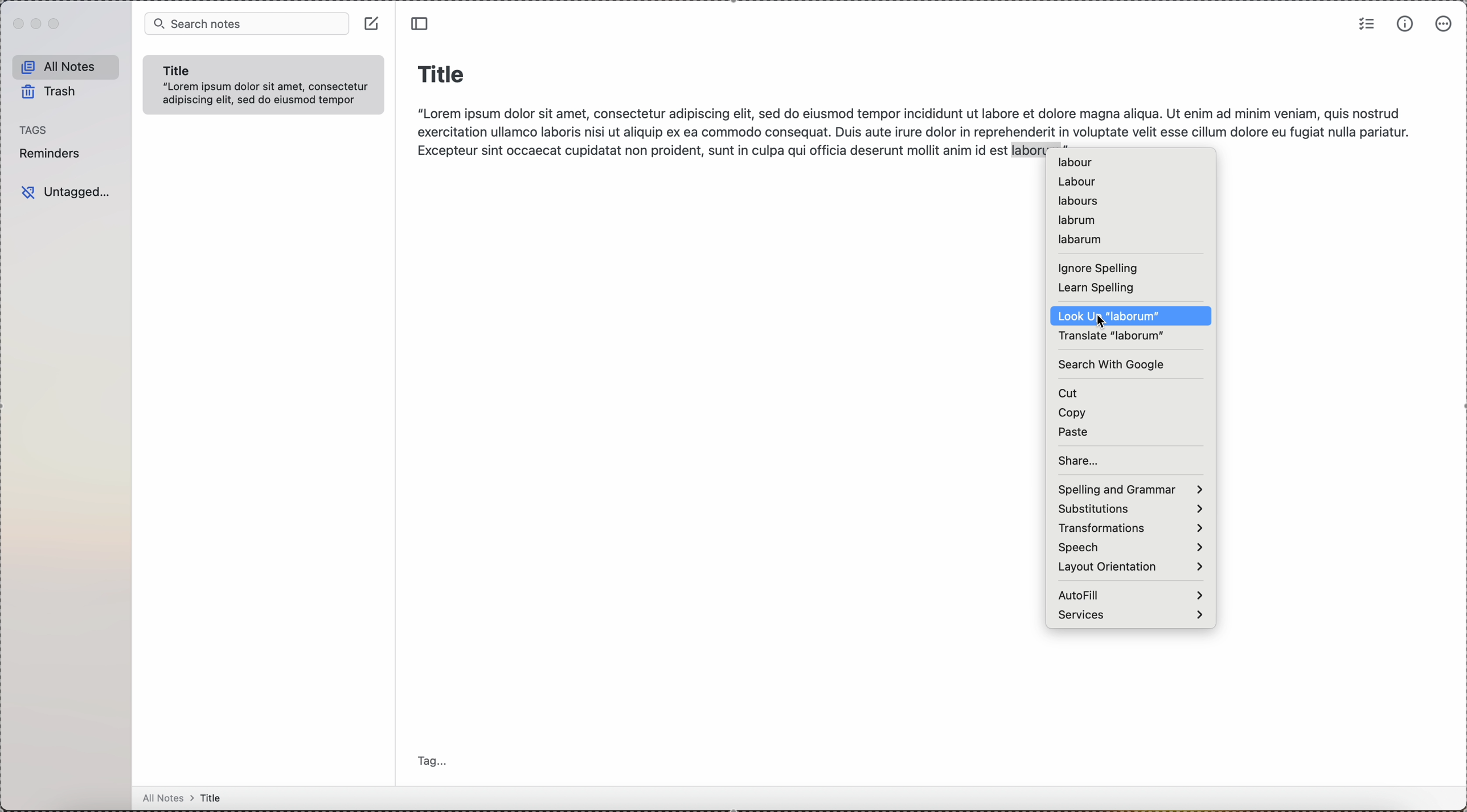  I want to click on learn spelling, so click(1096, 288).